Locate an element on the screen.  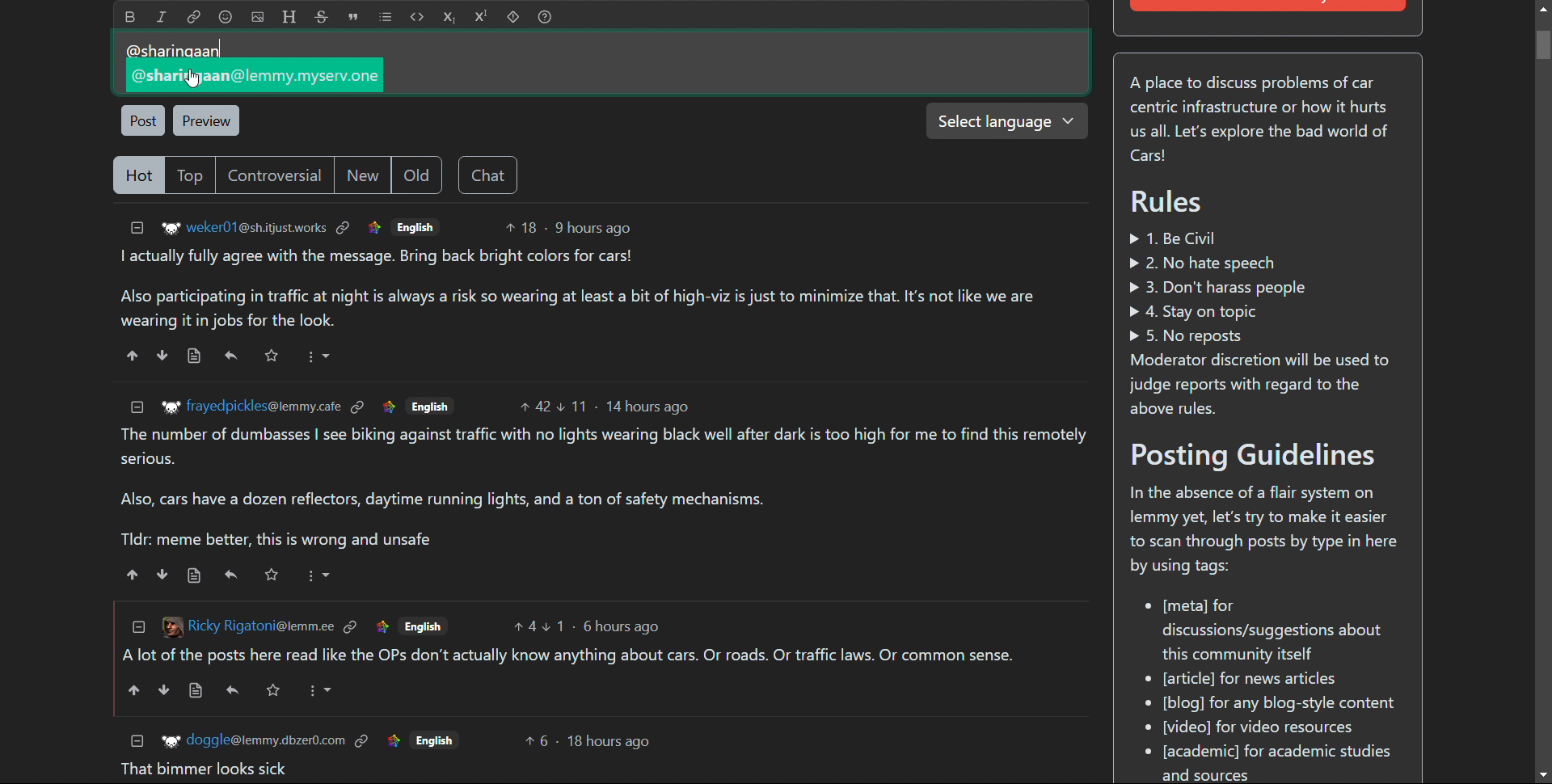
link is located at coordinates (359, 407).